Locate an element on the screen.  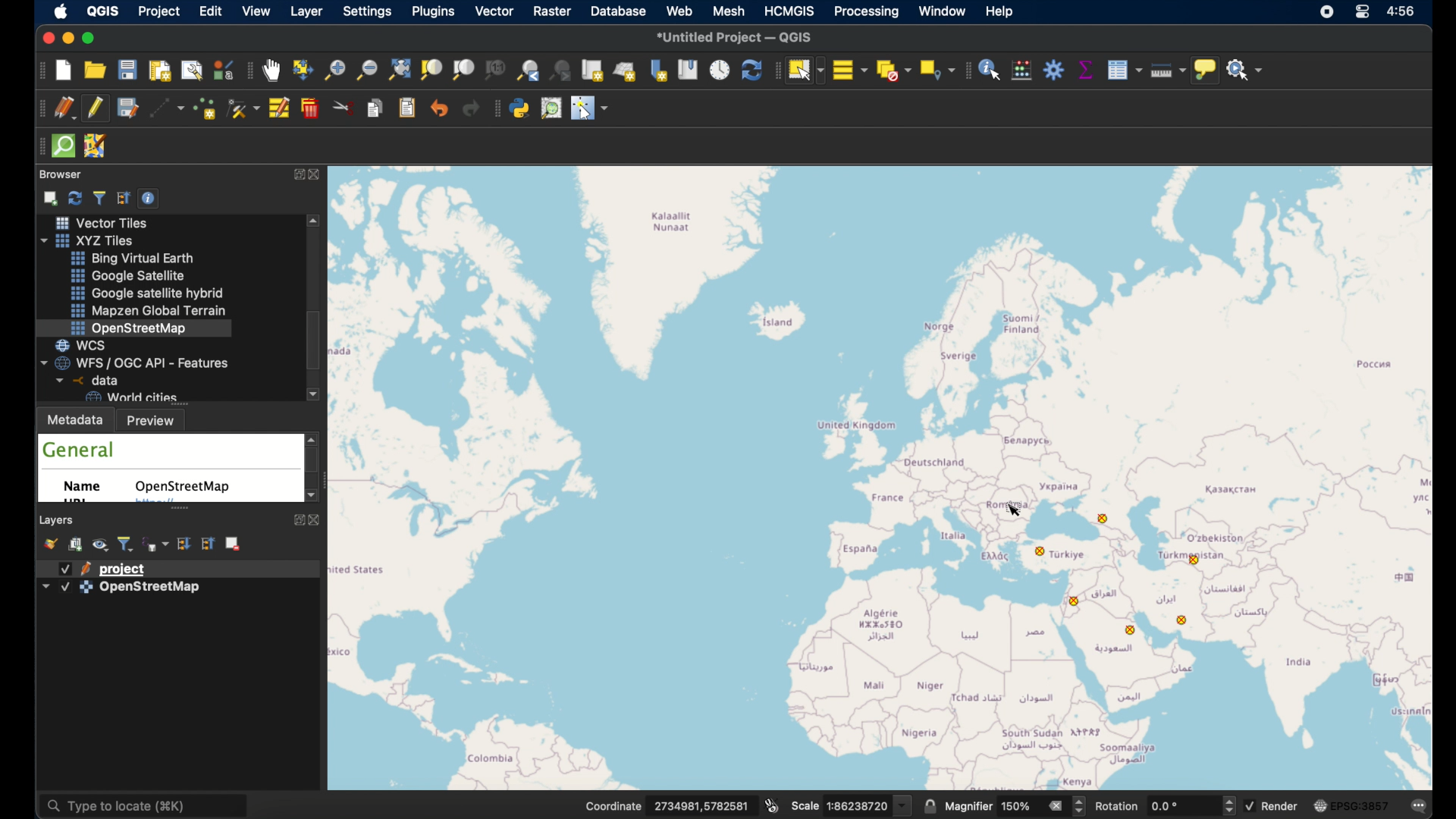
Increase or decrease magnifier is located at coordinates (1081, 806).